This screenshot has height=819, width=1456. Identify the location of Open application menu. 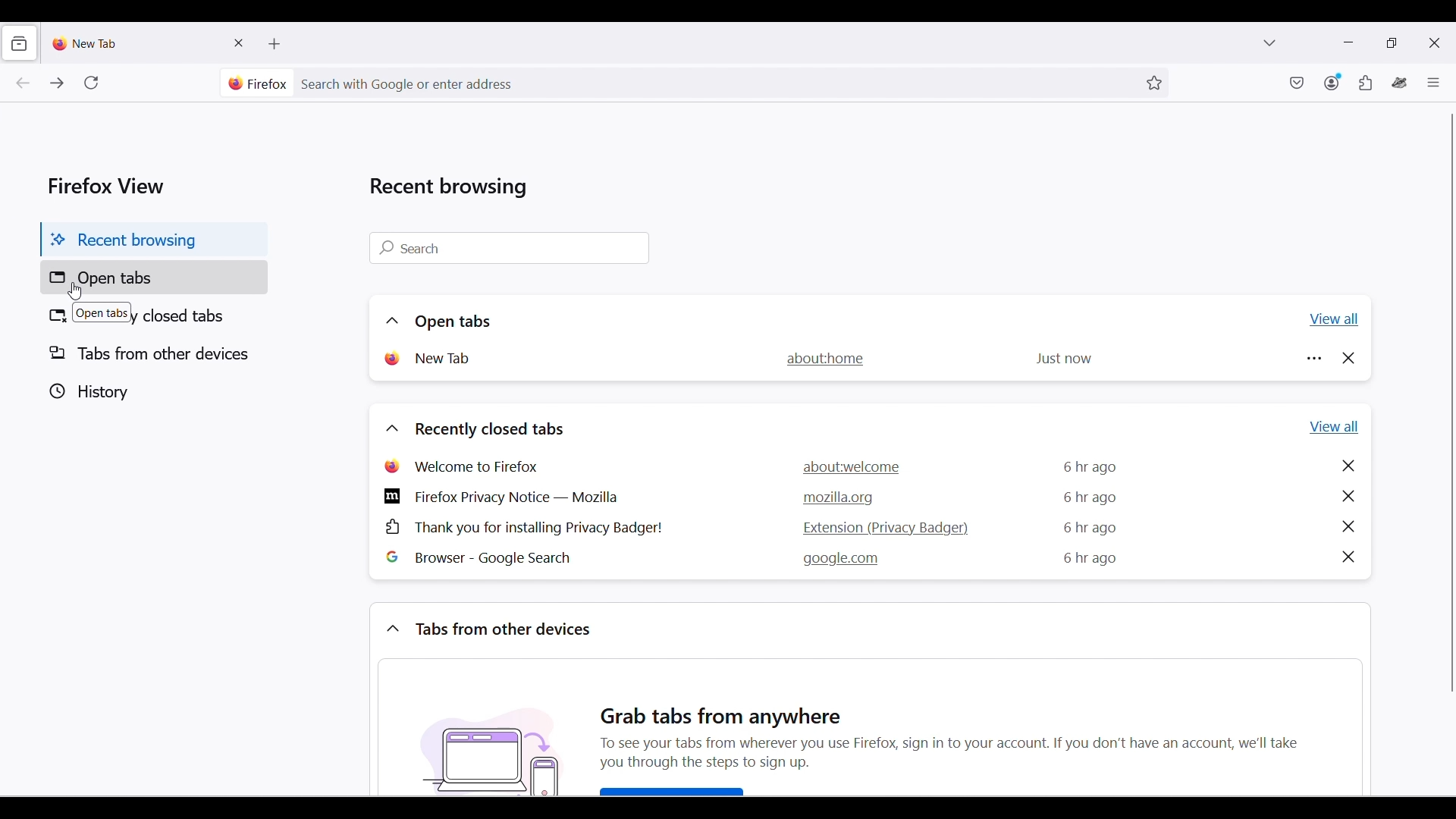
(1433, 82).